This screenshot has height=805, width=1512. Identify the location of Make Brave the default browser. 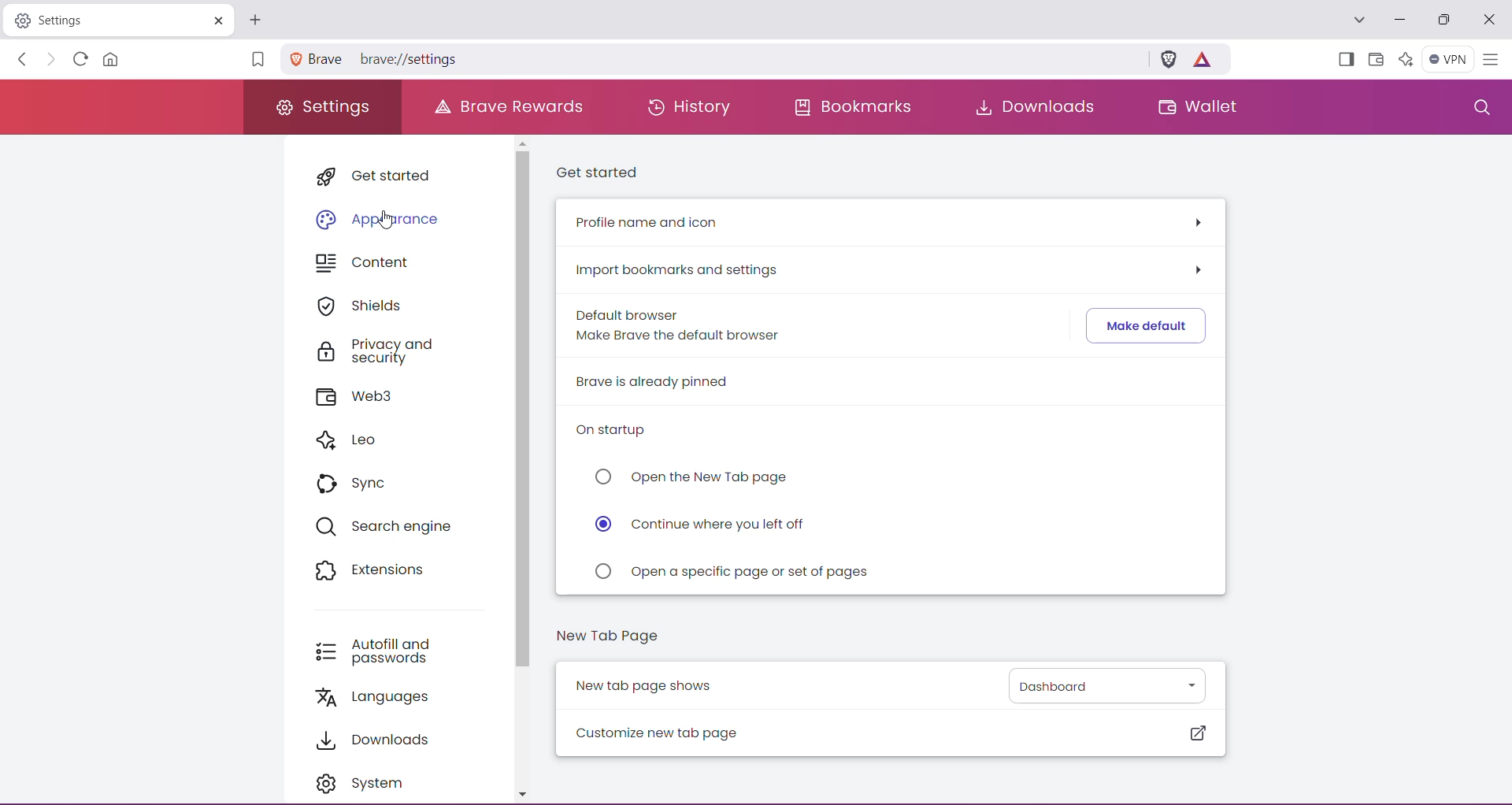
(682, 339).